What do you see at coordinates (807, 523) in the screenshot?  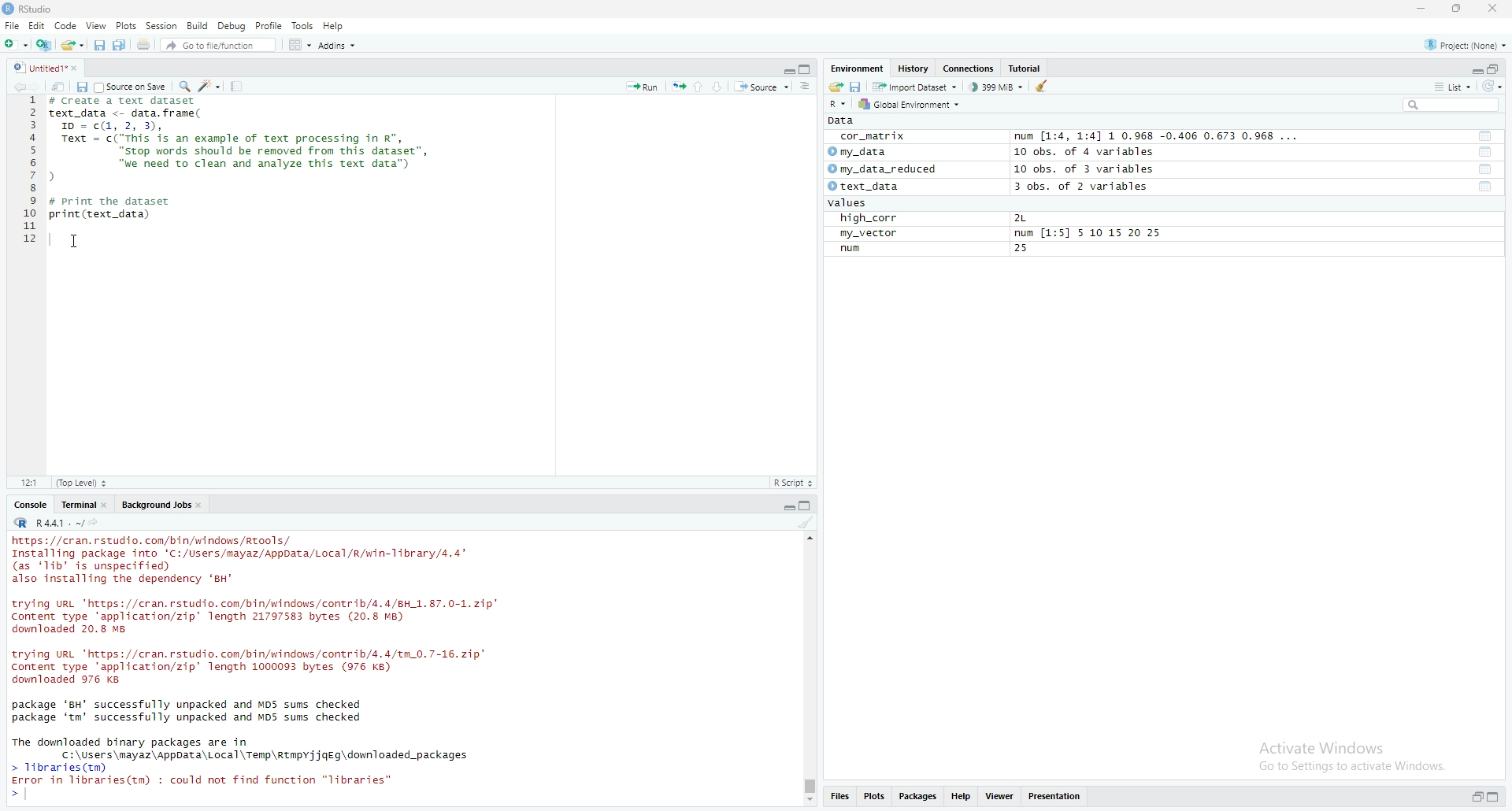 I see `clear console` at bounding box center [807, 523].